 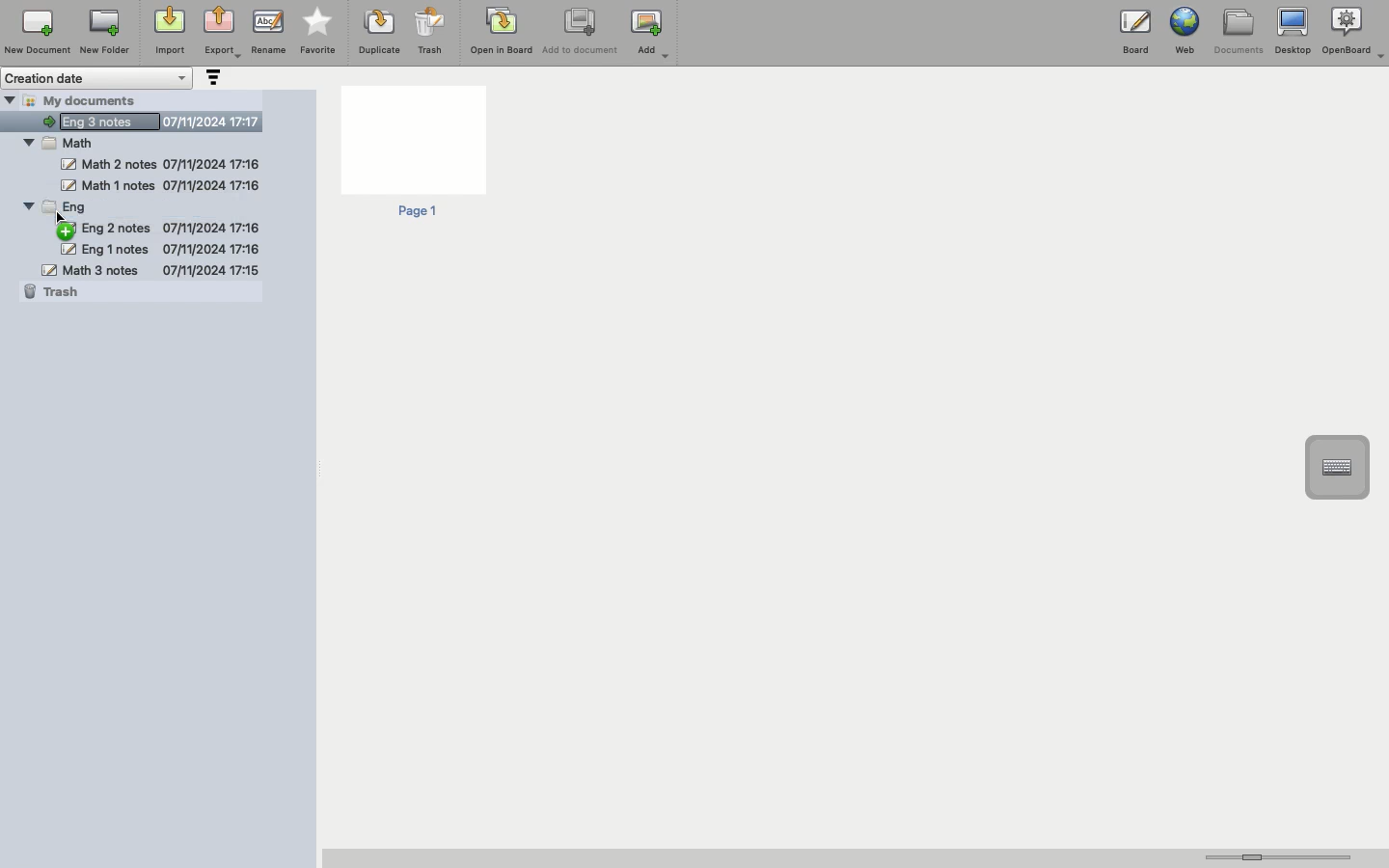 I want to click on Eng 2 notes, so click(x=157, y=227).